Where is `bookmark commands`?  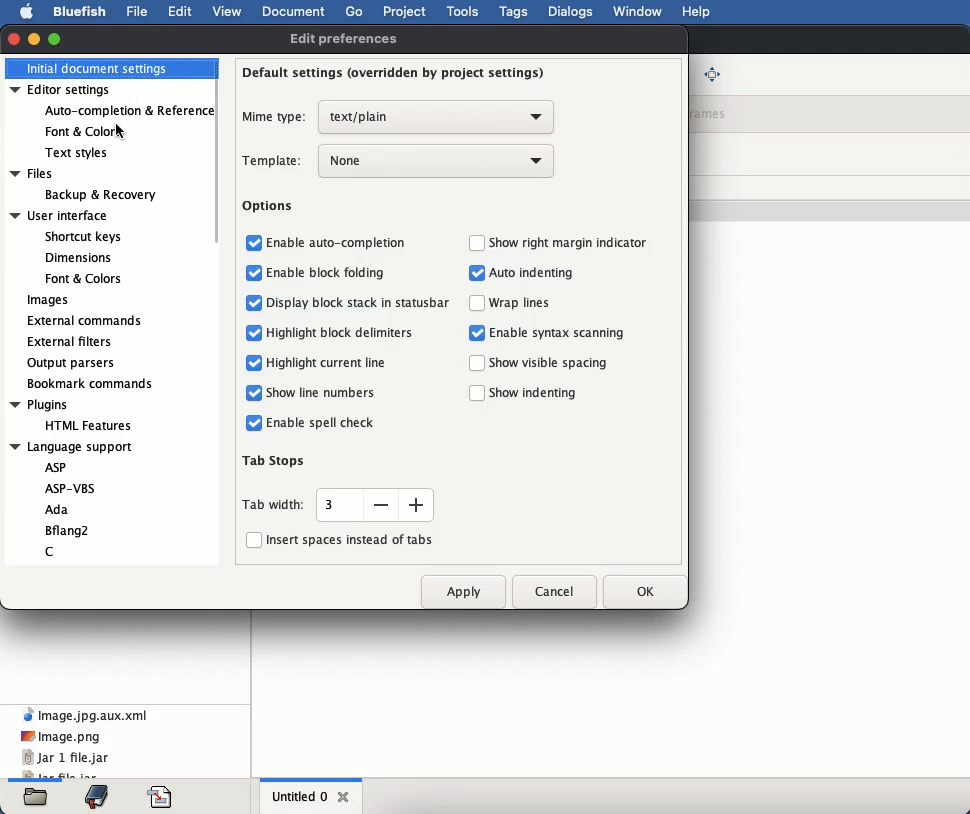 bookmark commands is located at coordinates (90, 384).